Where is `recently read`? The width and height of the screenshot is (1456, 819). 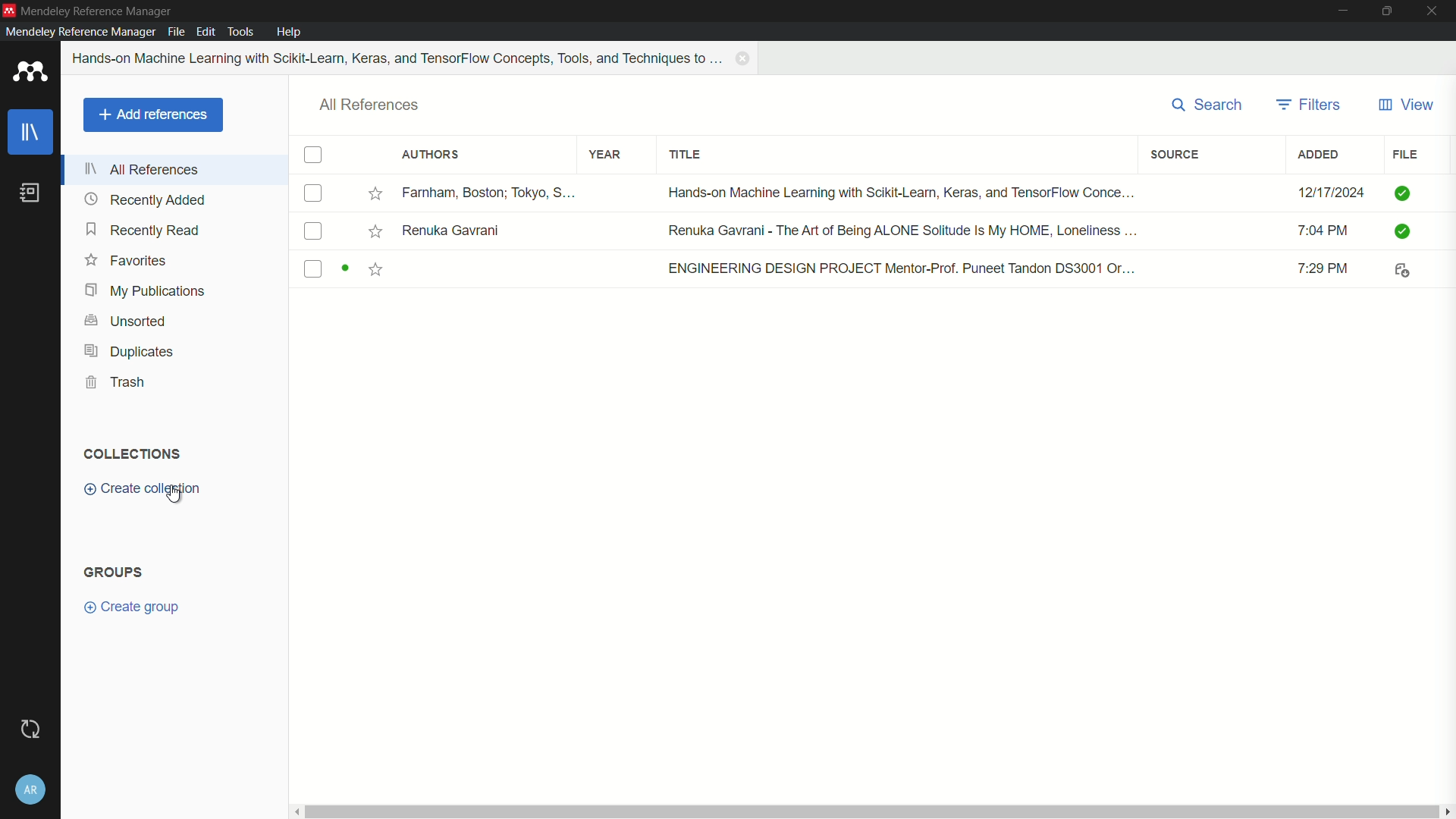
recently read is located at coordinates (145, 229).